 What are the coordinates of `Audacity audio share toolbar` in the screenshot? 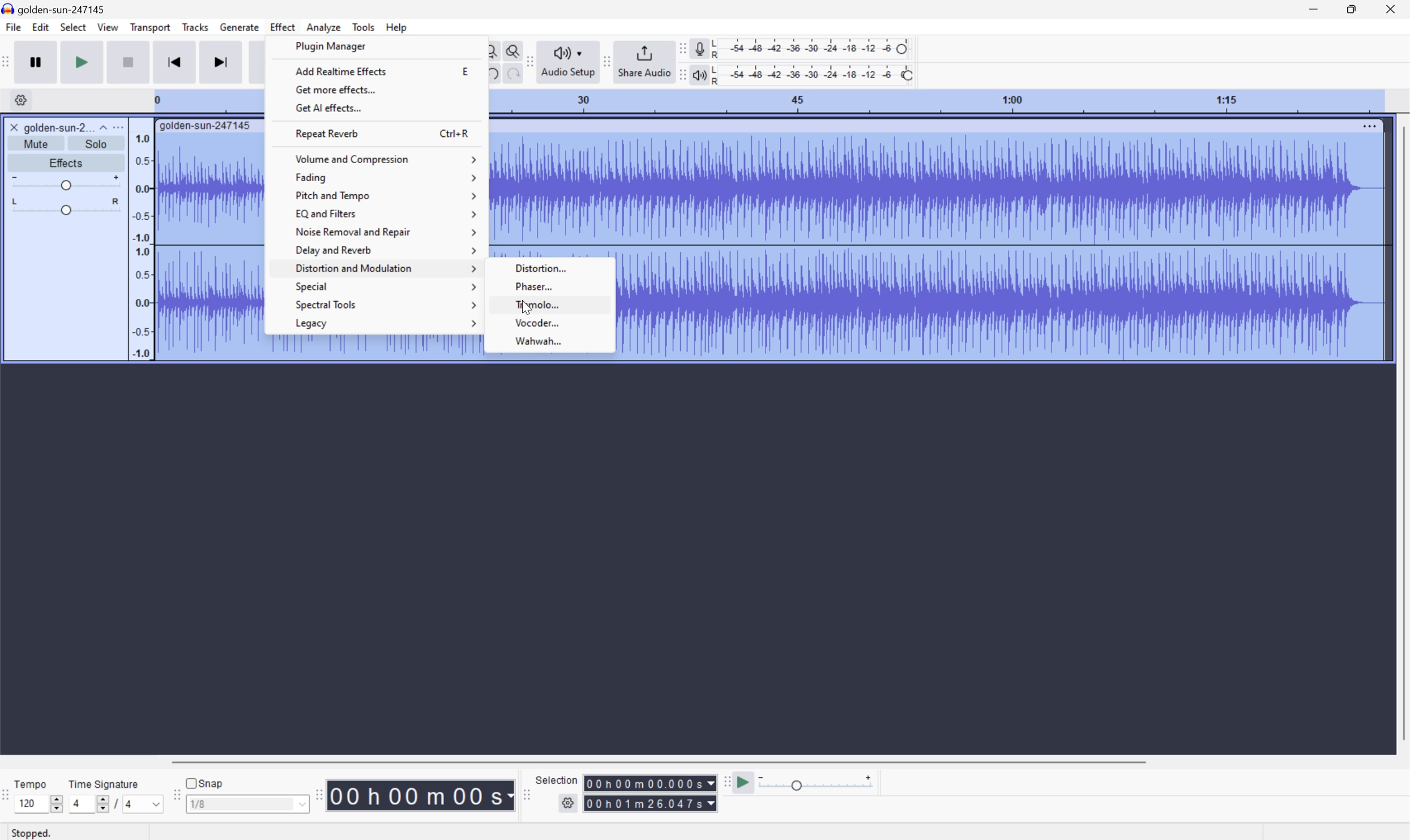 It's located at (530, 59).